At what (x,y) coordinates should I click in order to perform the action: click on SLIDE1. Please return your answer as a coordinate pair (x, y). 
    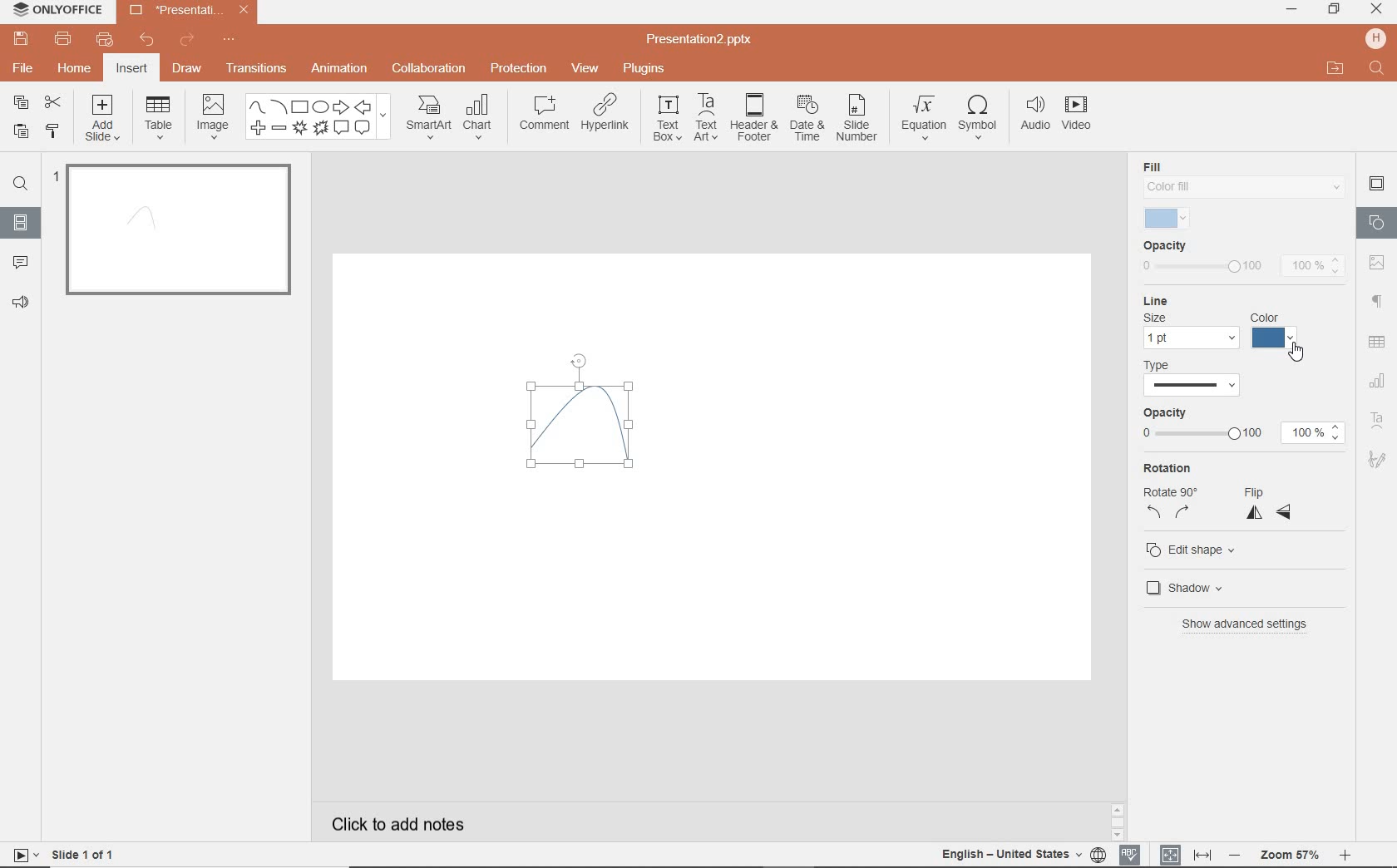
    Looking at the image, I should click on (175, 235).